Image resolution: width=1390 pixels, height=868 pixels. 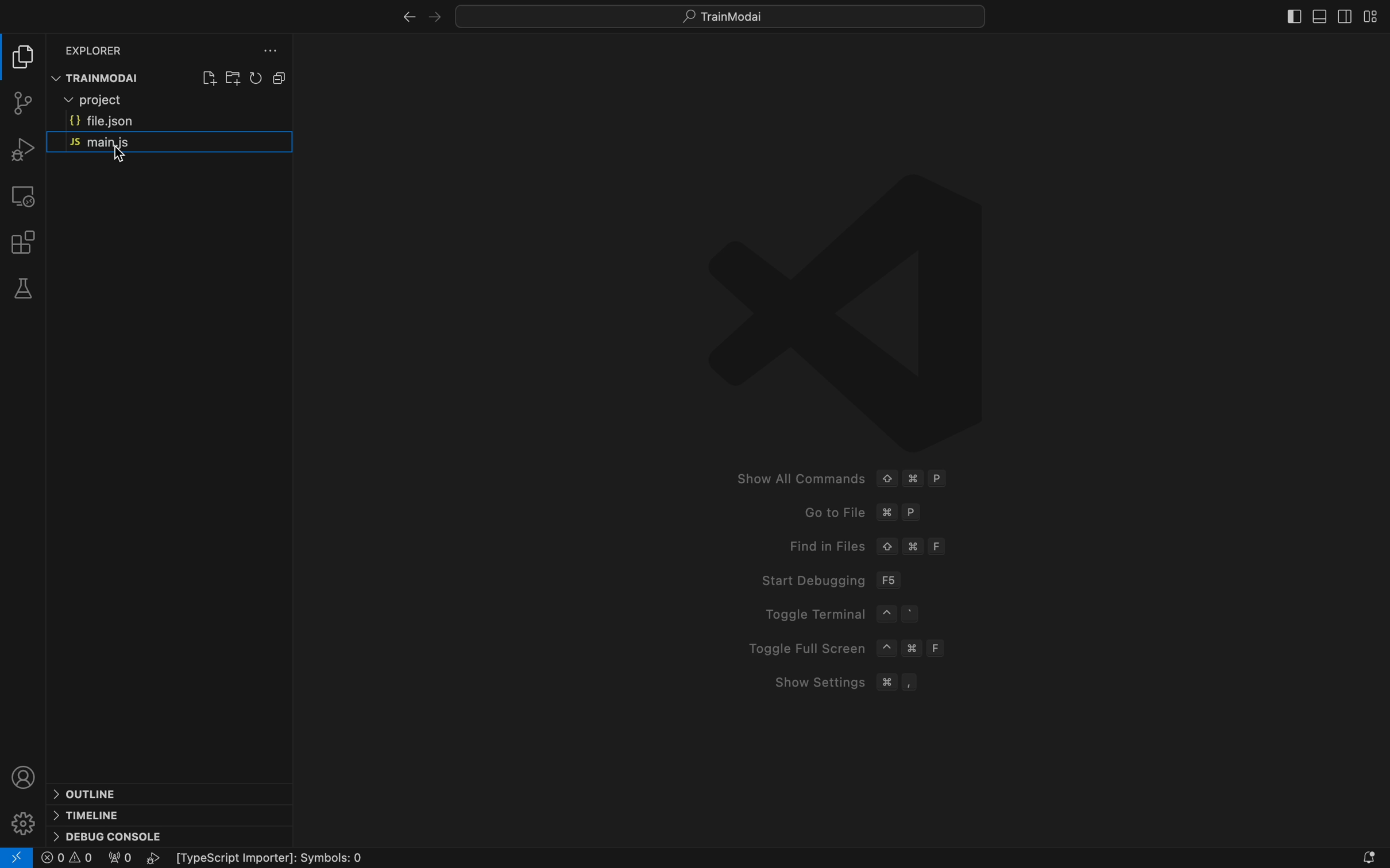 What do you see at coordinates (439, 15) in the screenshot?
I see `left arrows` at bounding box center [439, 15].